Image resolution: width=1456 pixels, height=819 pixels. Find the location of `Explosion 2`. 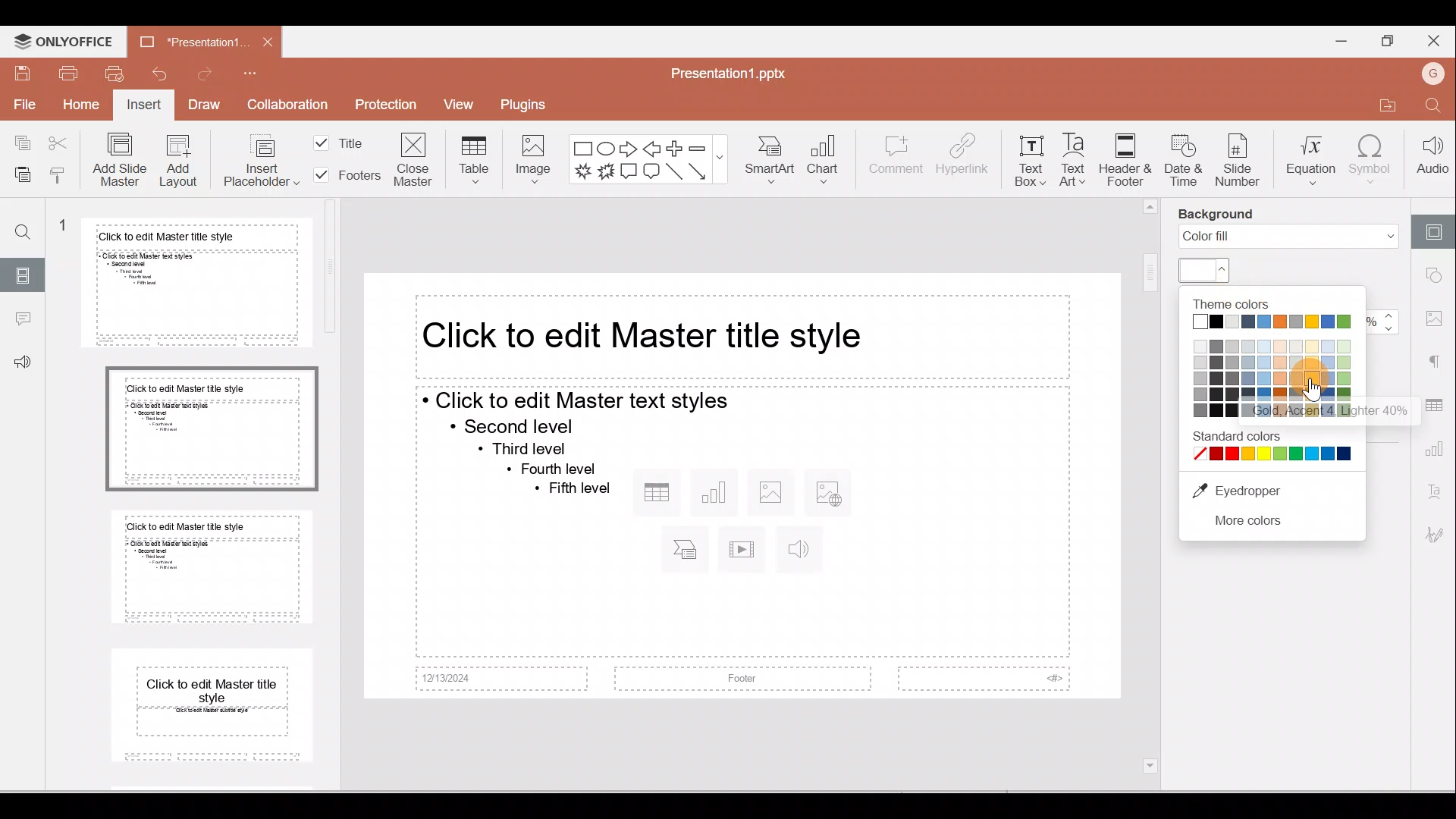

Explosion 2 is located at coordinates (607, 173).